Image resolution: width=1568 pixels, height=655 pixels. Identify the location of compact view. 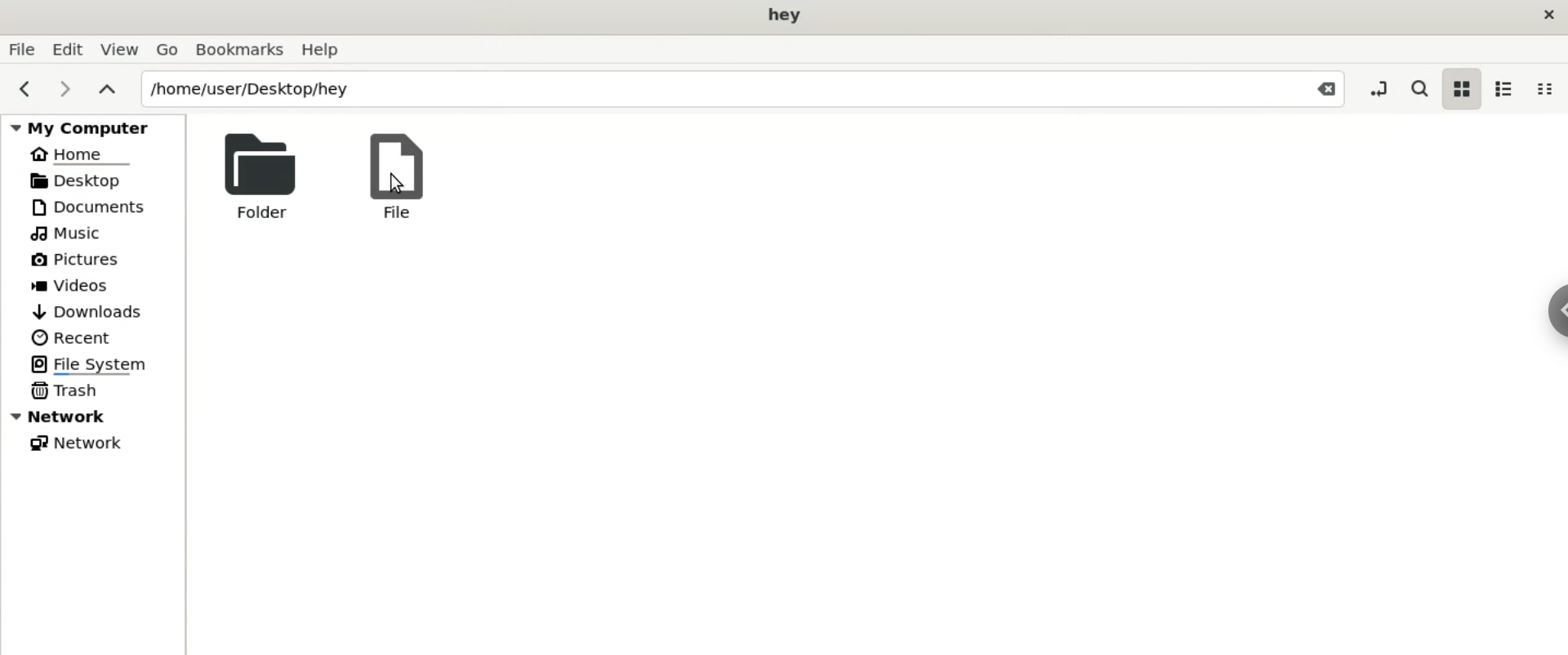
(1544, 89).